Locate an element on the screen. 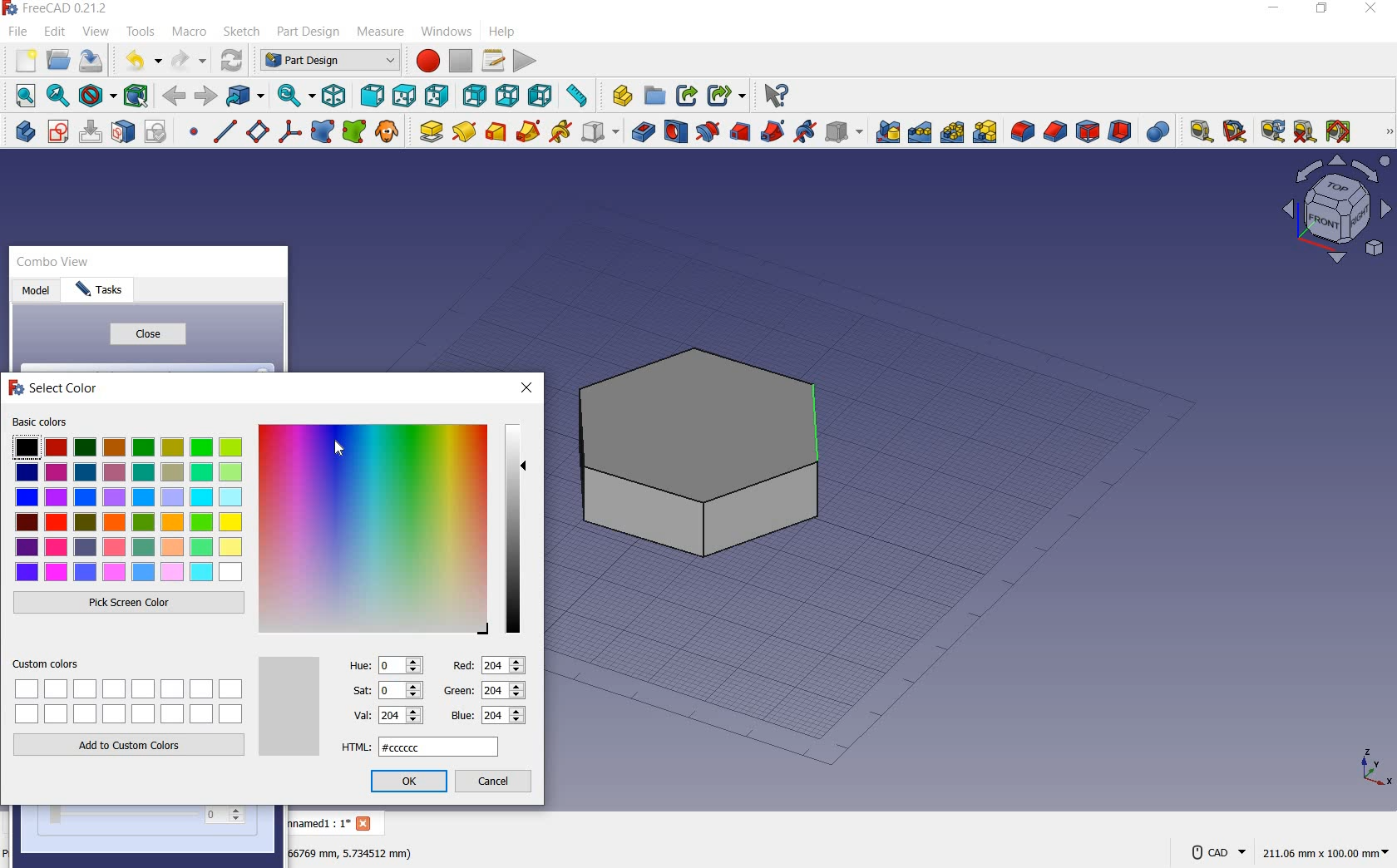  create a datum point is located at coordinates (195, 135).